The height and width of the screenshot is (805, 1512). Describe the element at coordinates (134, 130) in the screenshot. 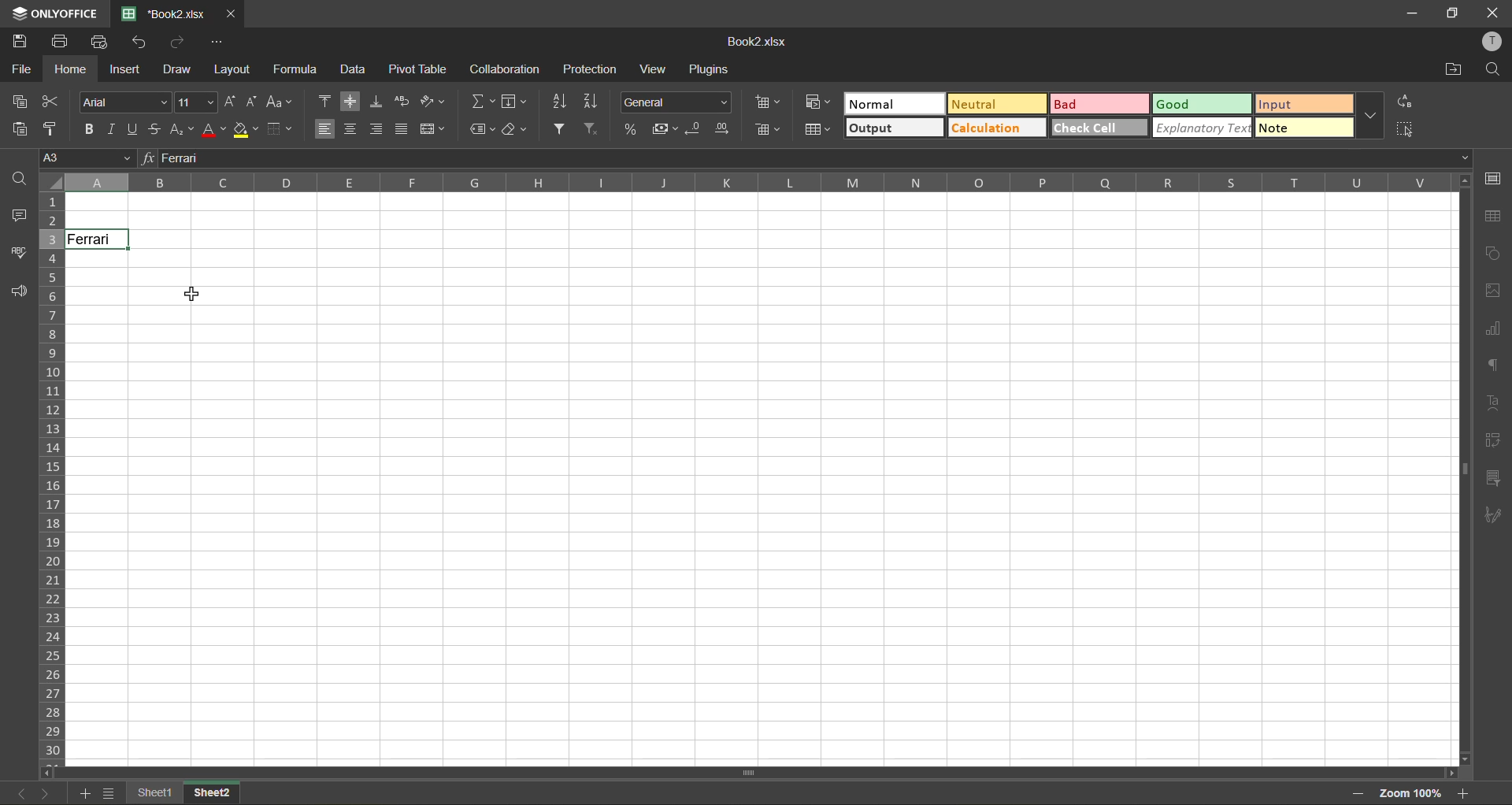

I see `underline` at that location.